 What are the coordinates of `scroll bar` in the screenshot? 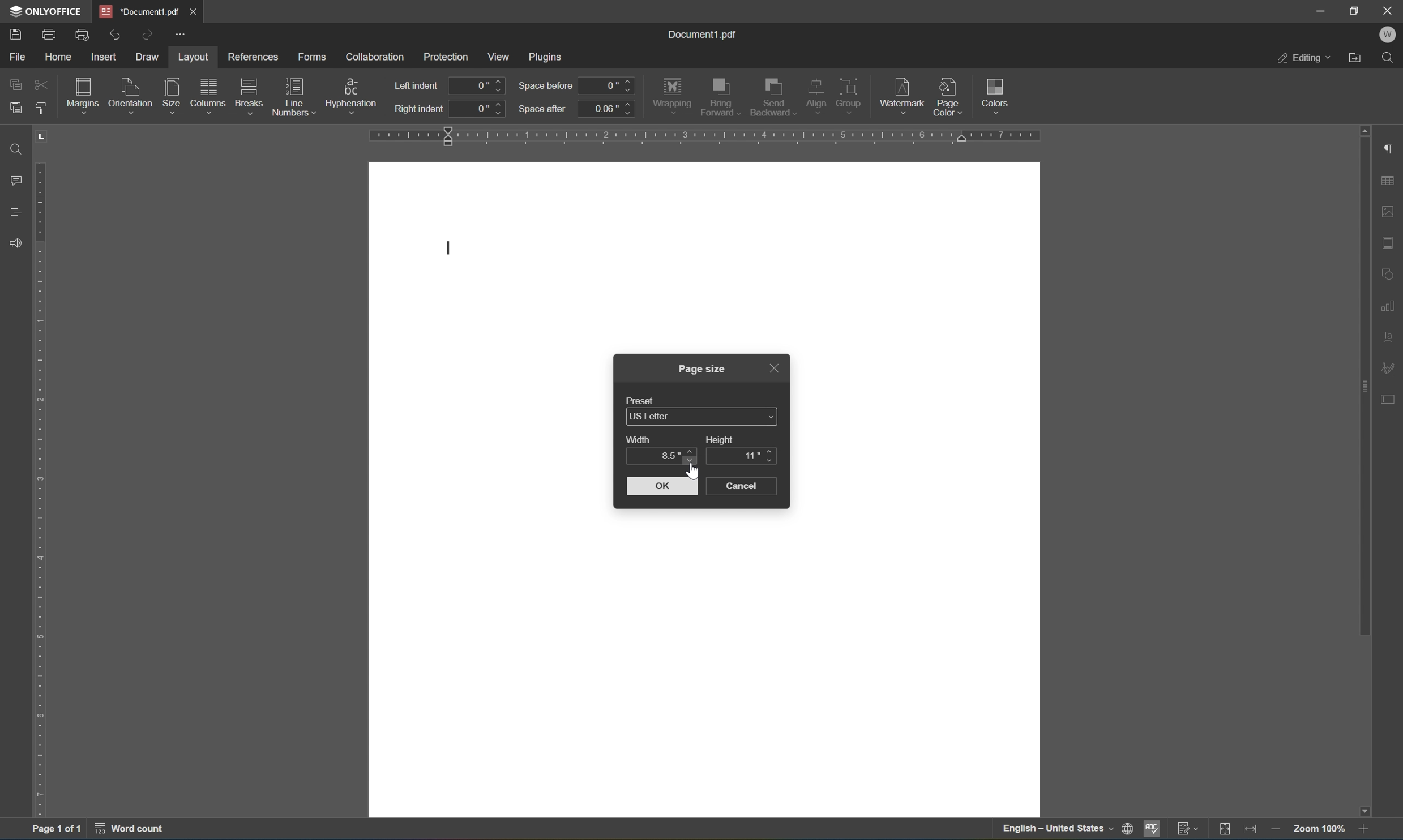 It's located at (1366, 470).